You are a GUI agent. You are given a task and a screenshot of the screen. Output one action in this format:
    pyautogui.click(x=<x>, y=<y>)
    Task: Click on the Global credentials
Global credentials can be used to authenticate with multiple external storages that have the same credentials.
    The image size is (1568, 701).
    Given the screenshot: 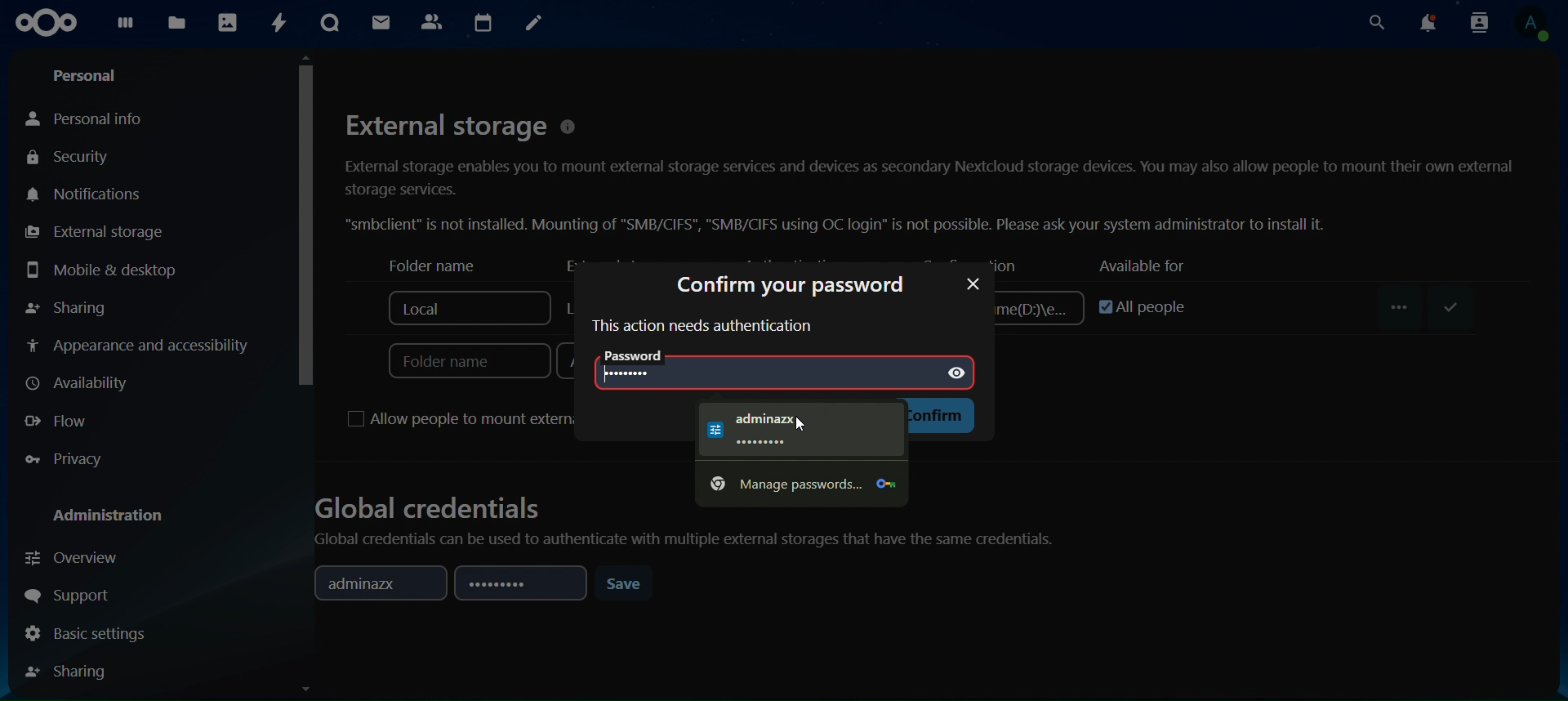 What is the action you would take?
    pyautogui.click(x=688, y=529)
    